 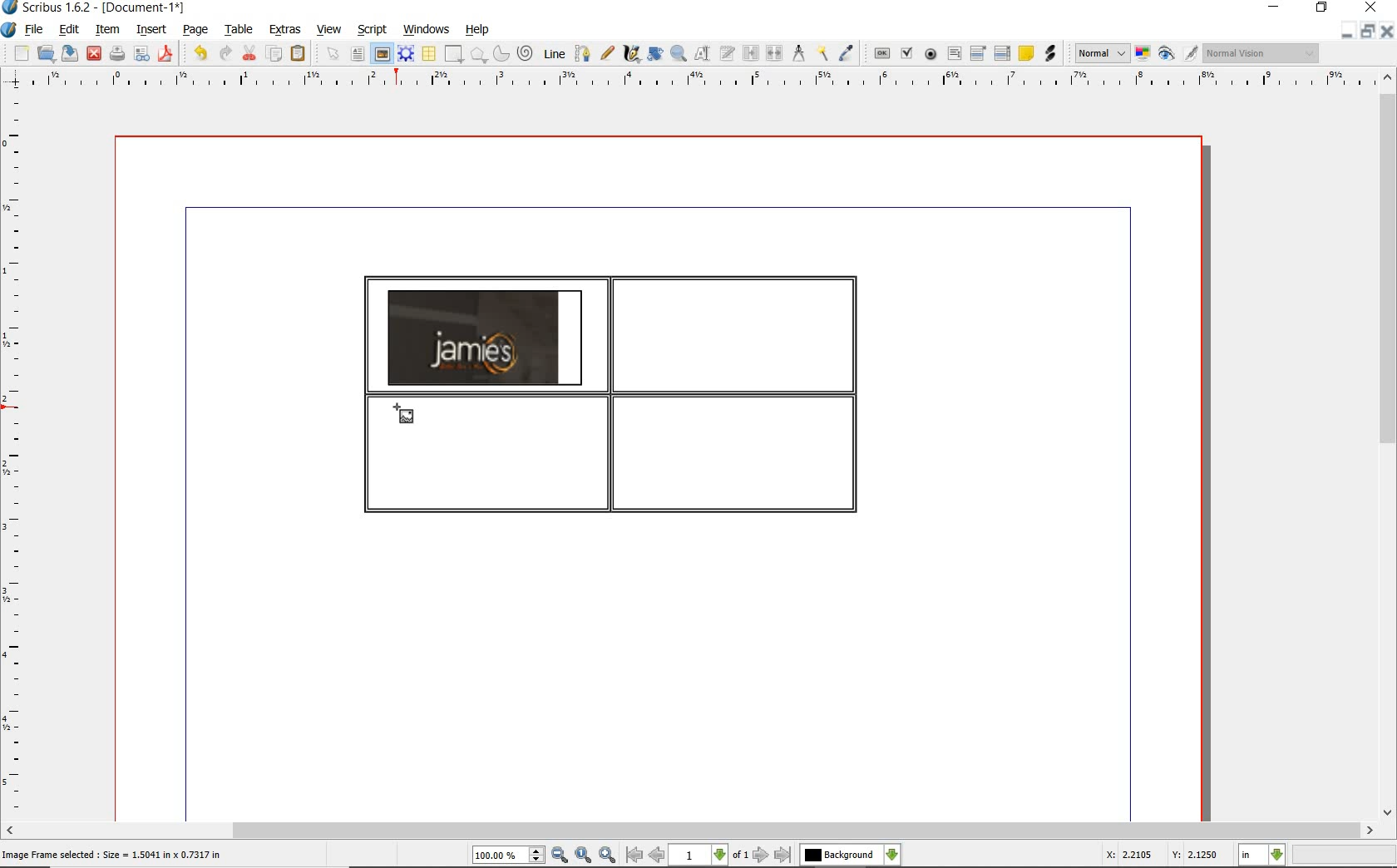 I want to click on edit text with story editor, so click(x=728, y=52).